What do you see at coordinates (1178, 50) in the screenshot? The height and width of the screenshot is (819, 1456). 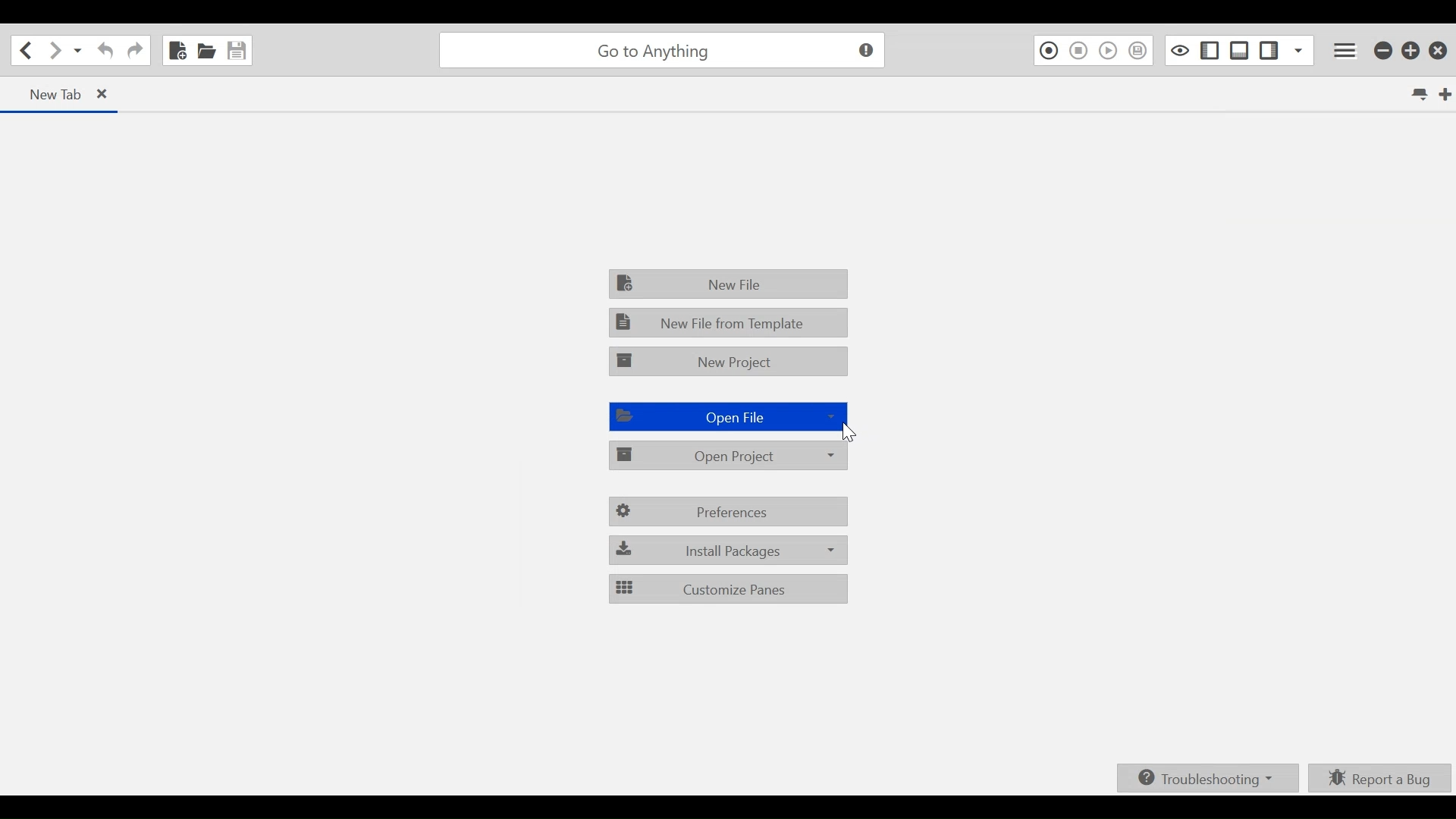 I see `Toggle Focus mode` at bounding box center [1178, 50].